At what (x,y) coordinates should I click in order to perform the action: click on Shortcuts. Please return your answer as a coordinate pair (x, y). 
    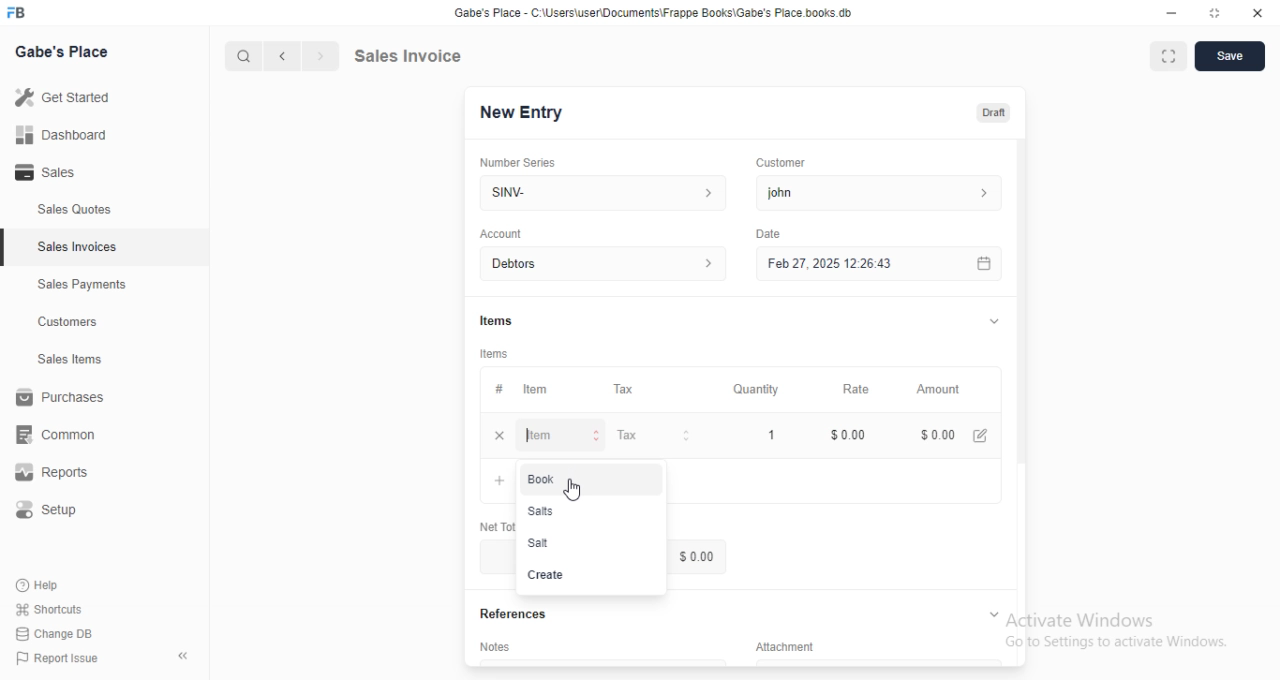
    Looking at the image, I should click on (50, 610).